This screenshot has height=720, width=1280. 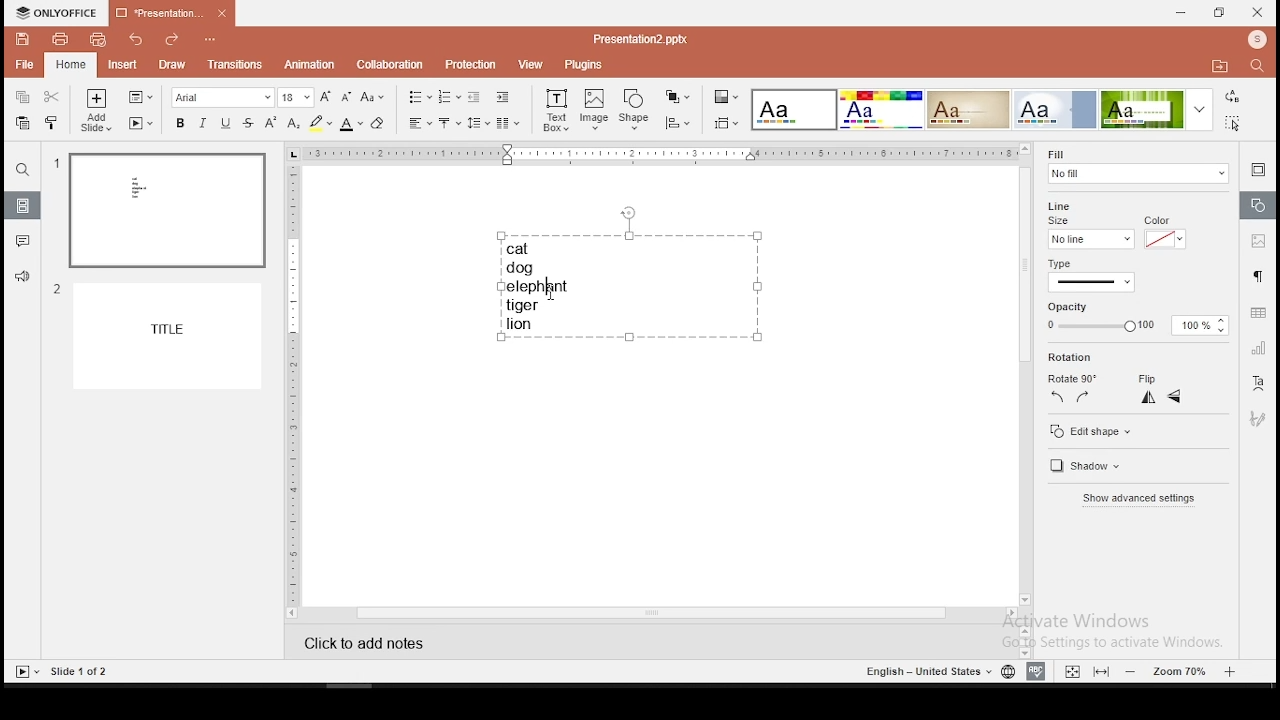 I want to click on insert, so click(x=121, y=63).